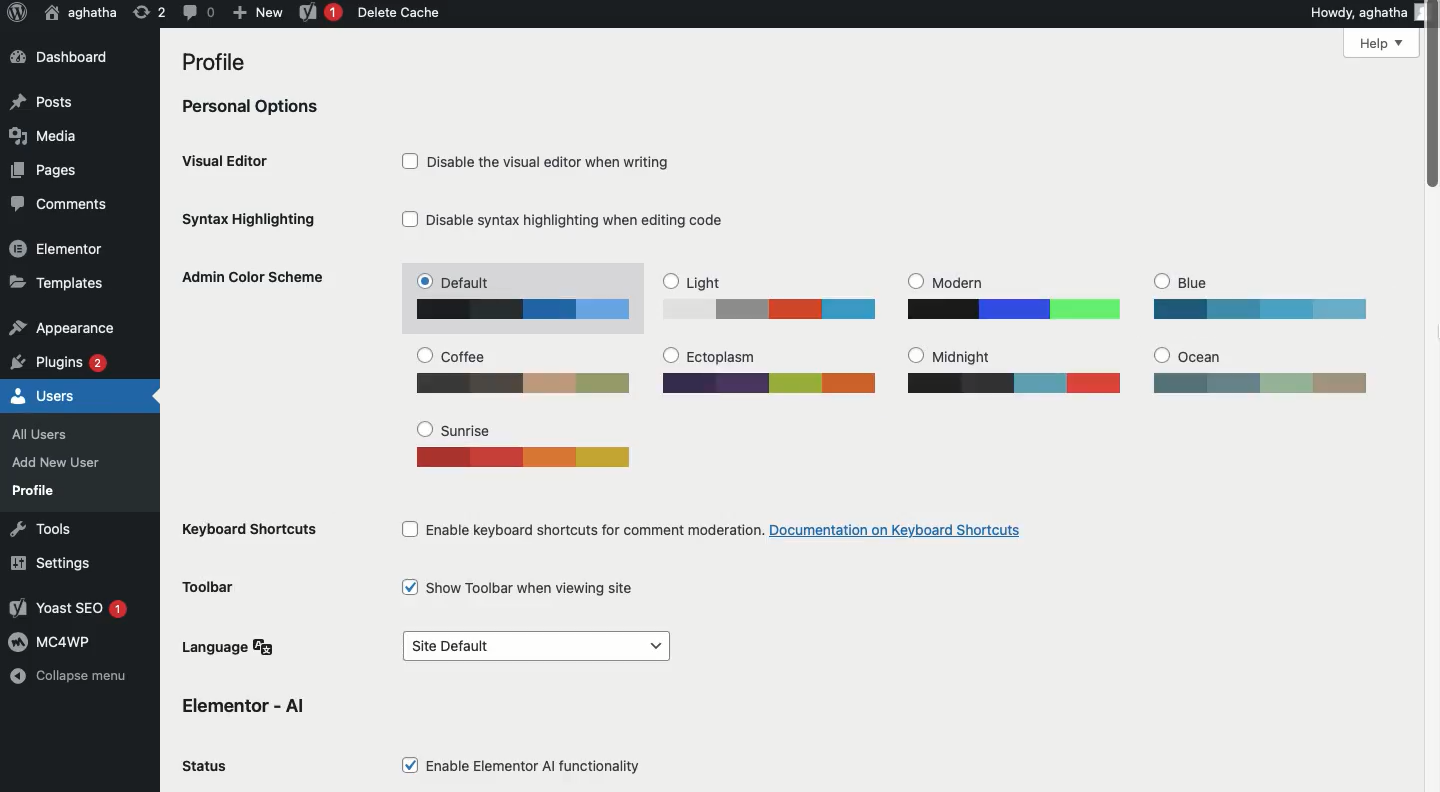  I want to click on Settings, so click(47, 563).